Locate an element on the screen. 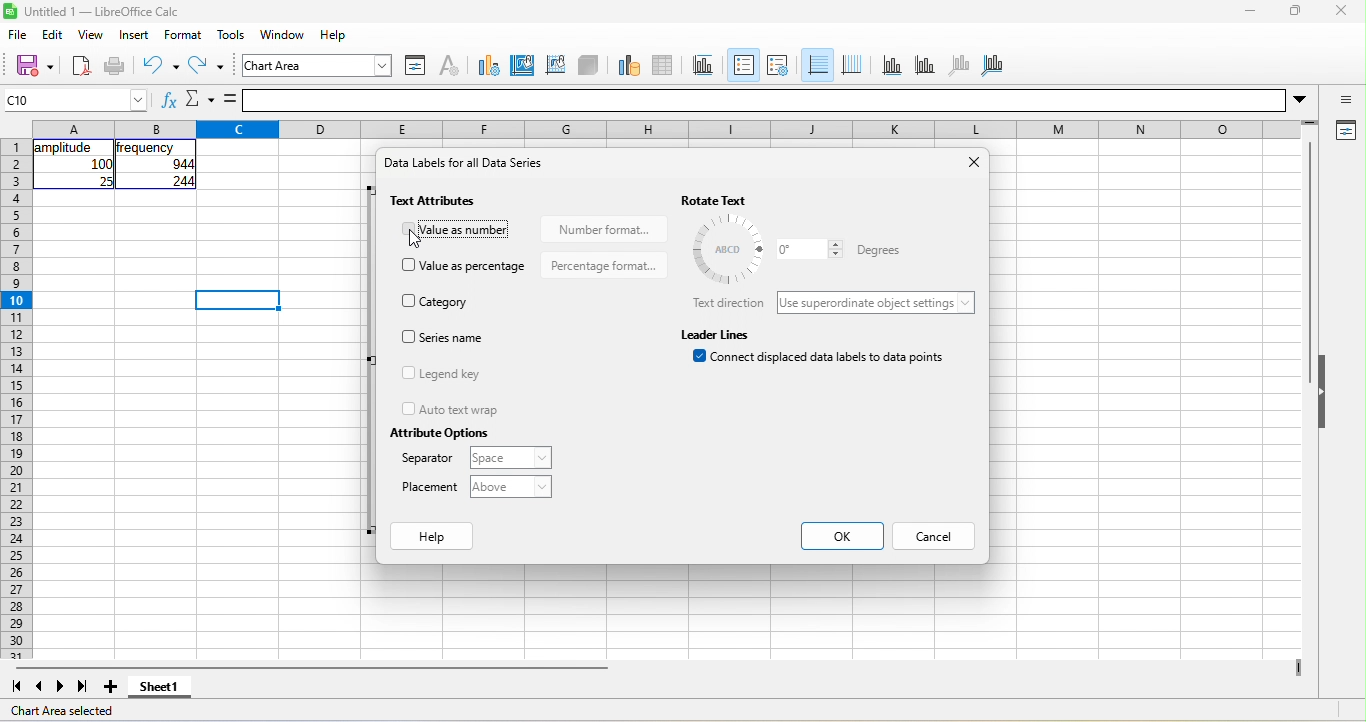 This screenshot has width=1366, height=722. cancel is located at coordinates (937, 538).